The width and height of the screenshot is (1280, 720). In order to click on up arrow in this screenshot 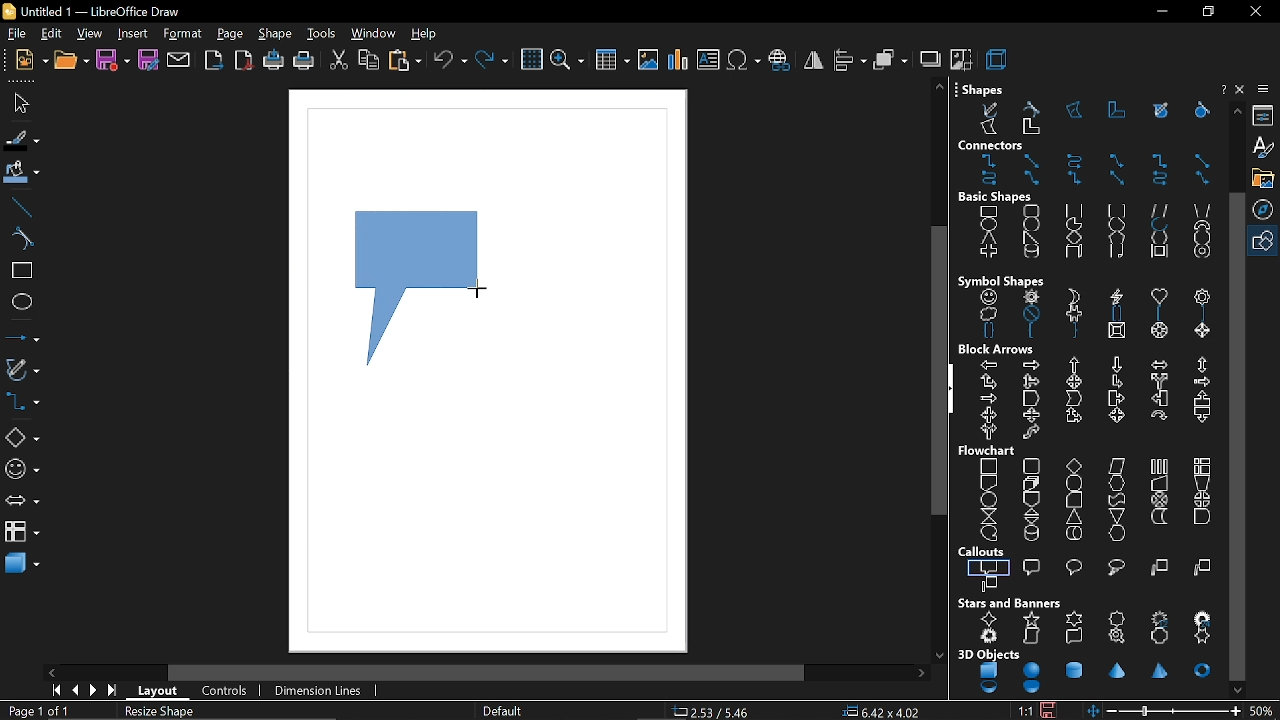, I will do `click(1076, 365)`.